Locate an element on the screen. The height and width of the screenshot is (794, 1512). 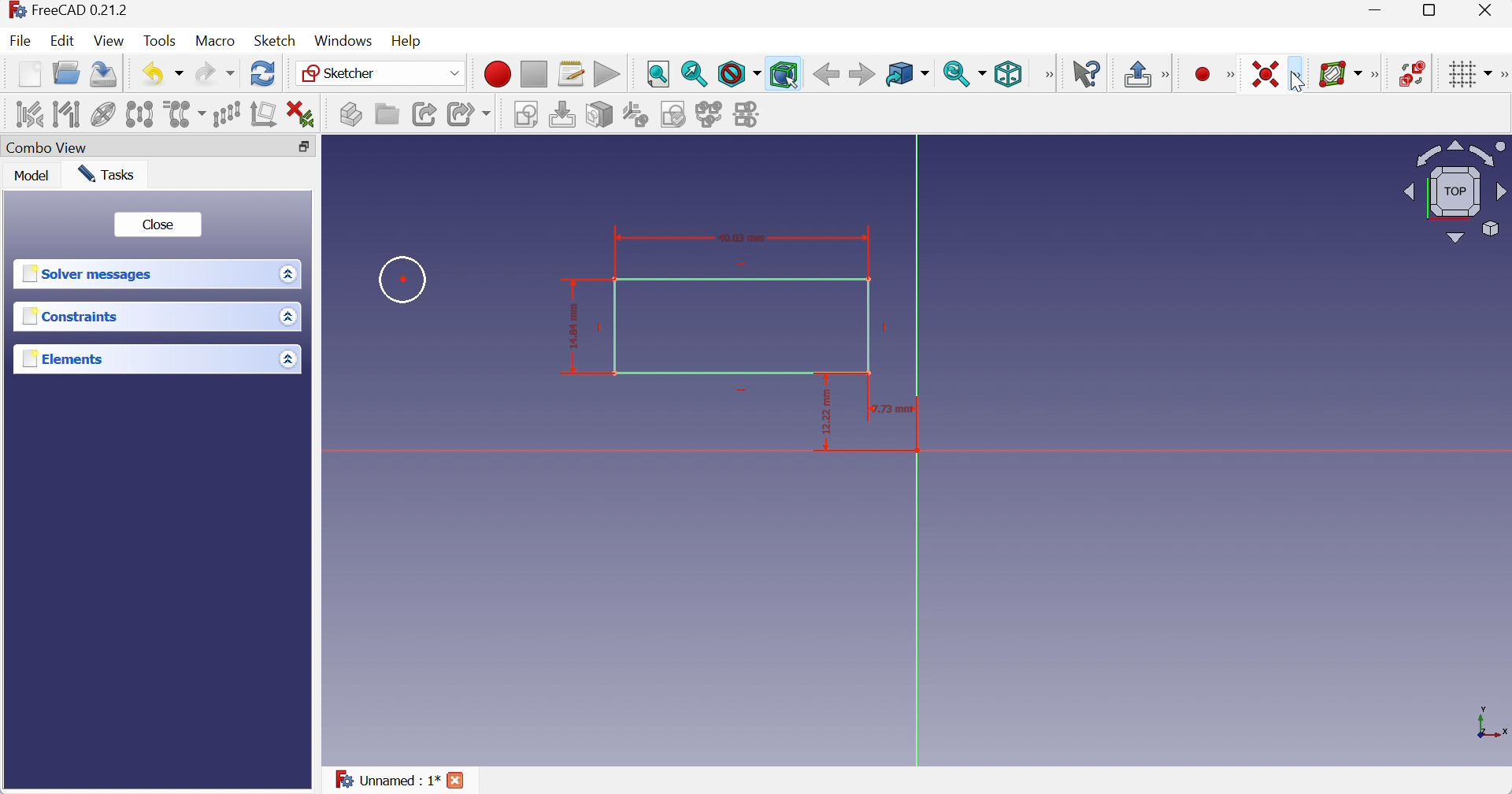
Sketch is located at coordinates (275, 40).